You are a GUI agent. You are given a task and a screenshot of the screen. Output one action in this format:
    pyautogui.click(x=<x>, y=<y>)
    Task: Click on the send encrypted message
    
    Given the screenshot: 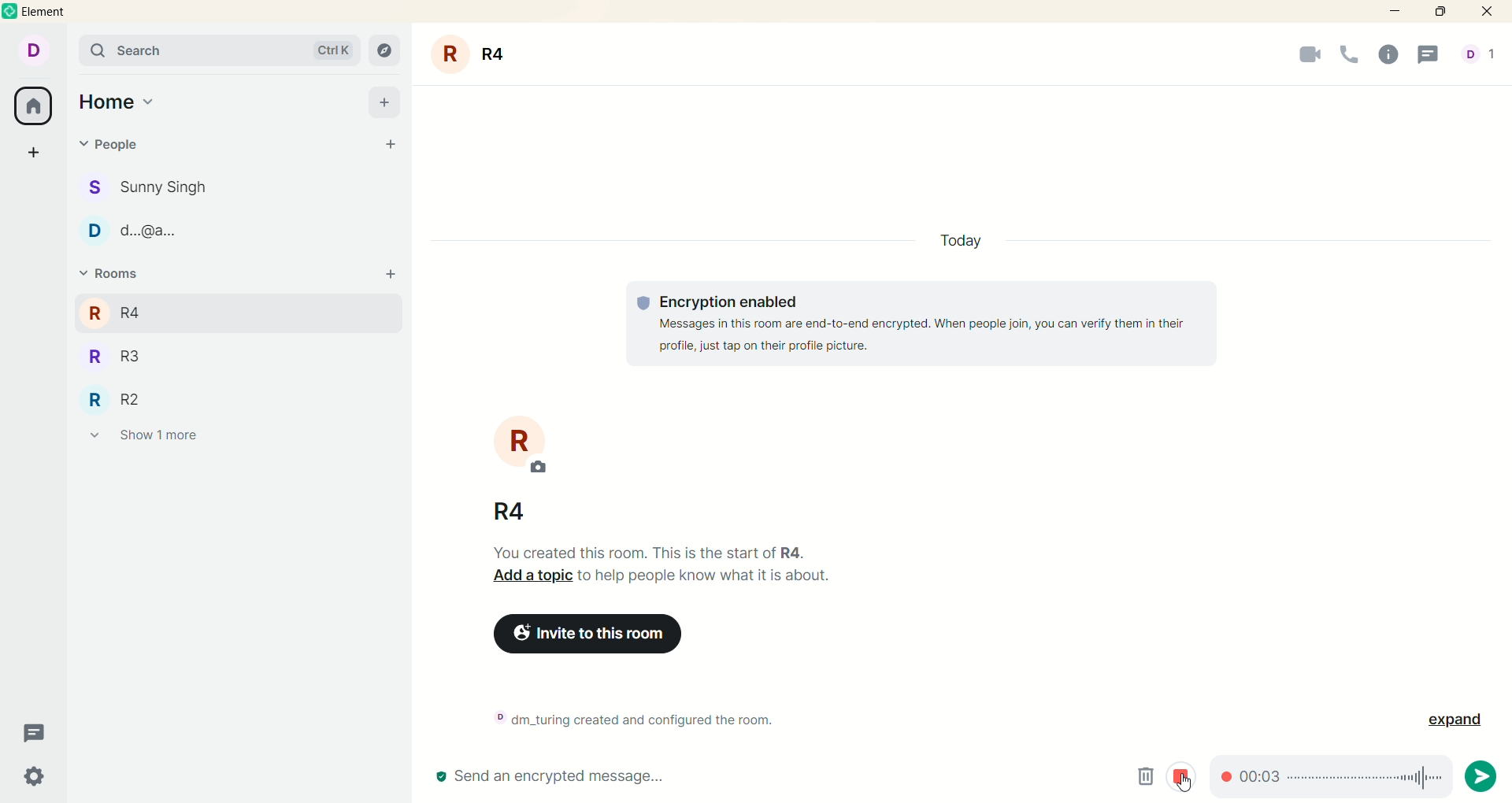 What is the action you would take?
    pyautogui.click(x=550, y=778)
    